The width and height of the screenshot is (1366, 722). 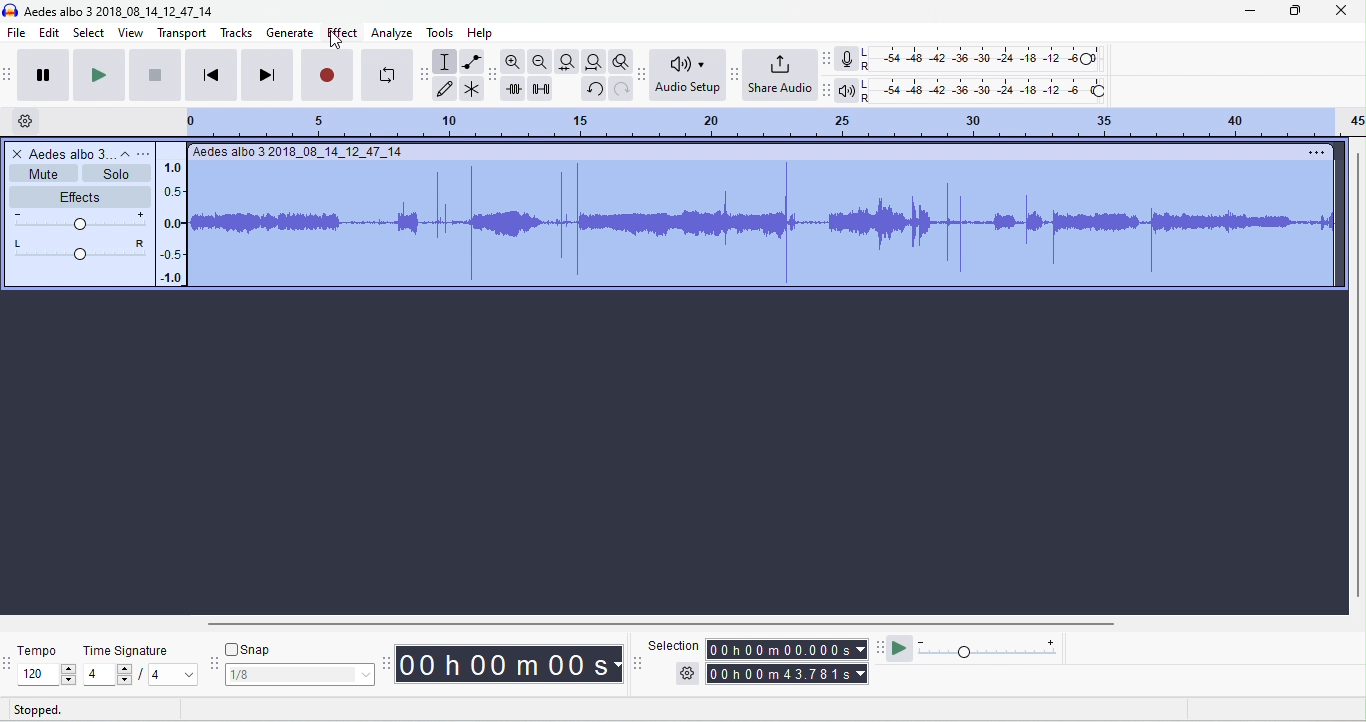 What do you see at coordinates (44, 75) in the screenshot?
I see `pause` at bounding box center [44, 75].